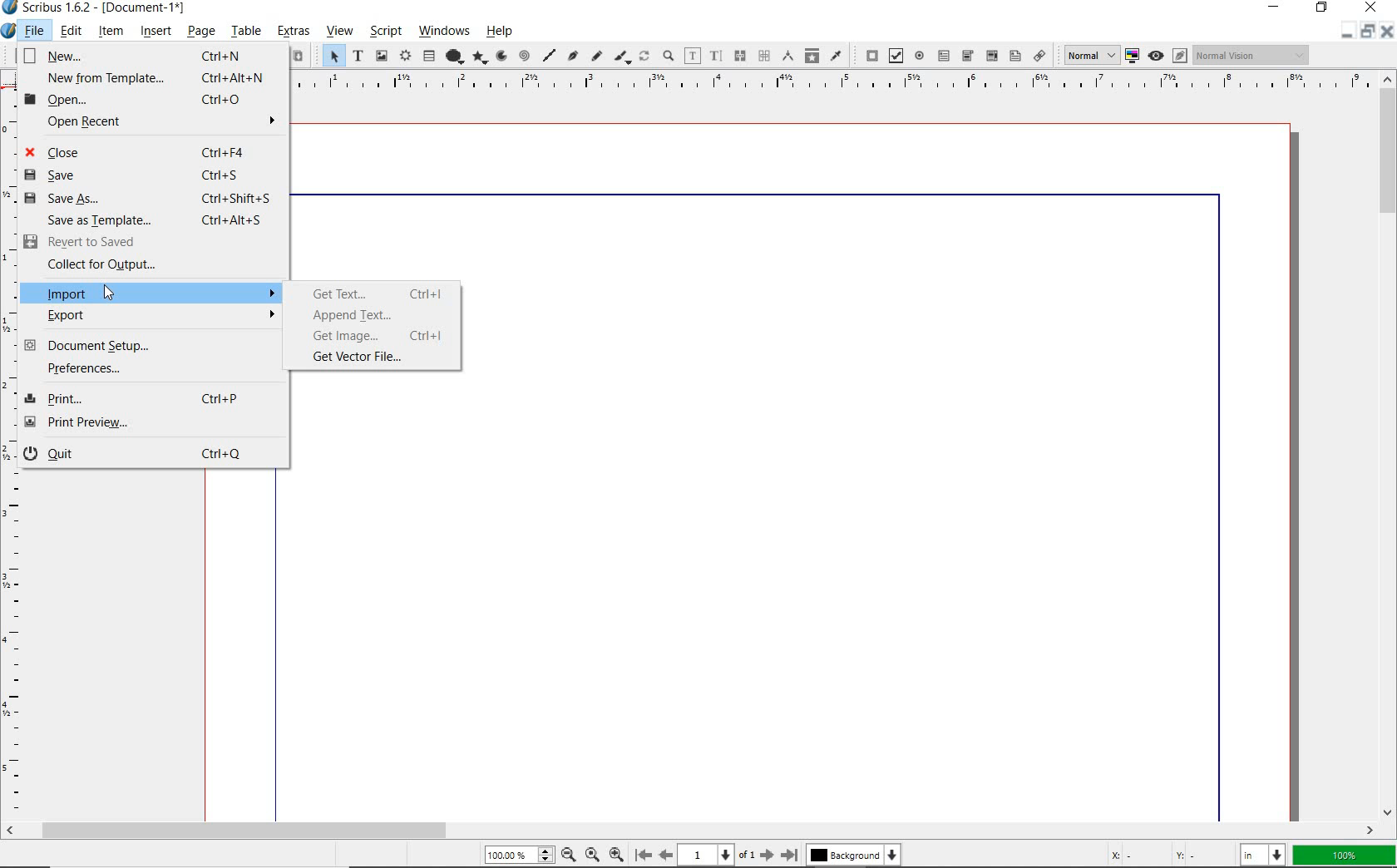  What do you see at coordinates (519, 854) in the screenshot?
I see `Zoom 100.00%` at bounding box center [519, 854].